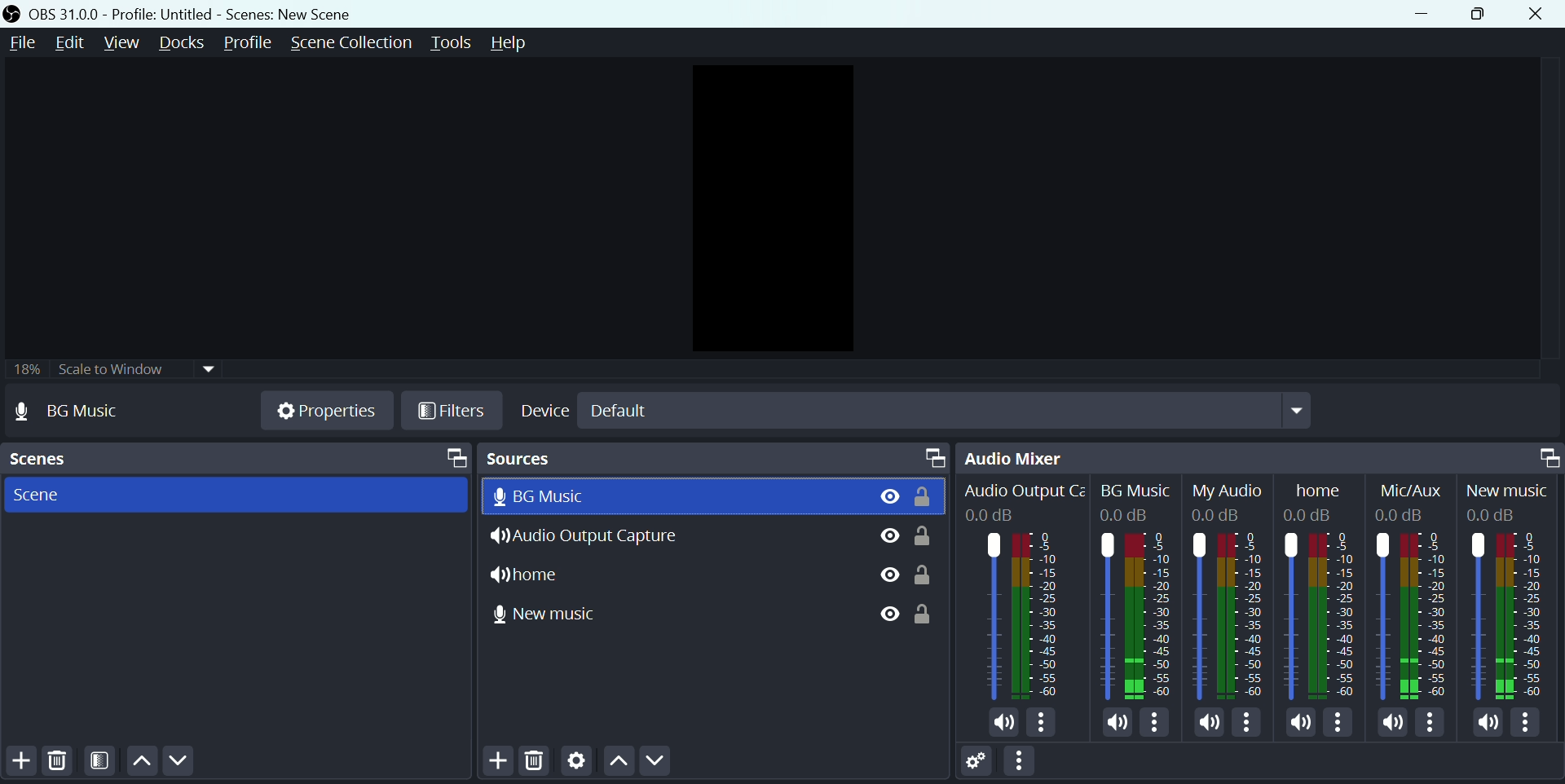  What do you see at coordinates (882, 614) in the screenshot?
I see `eye` at bounding box center [882, 614].